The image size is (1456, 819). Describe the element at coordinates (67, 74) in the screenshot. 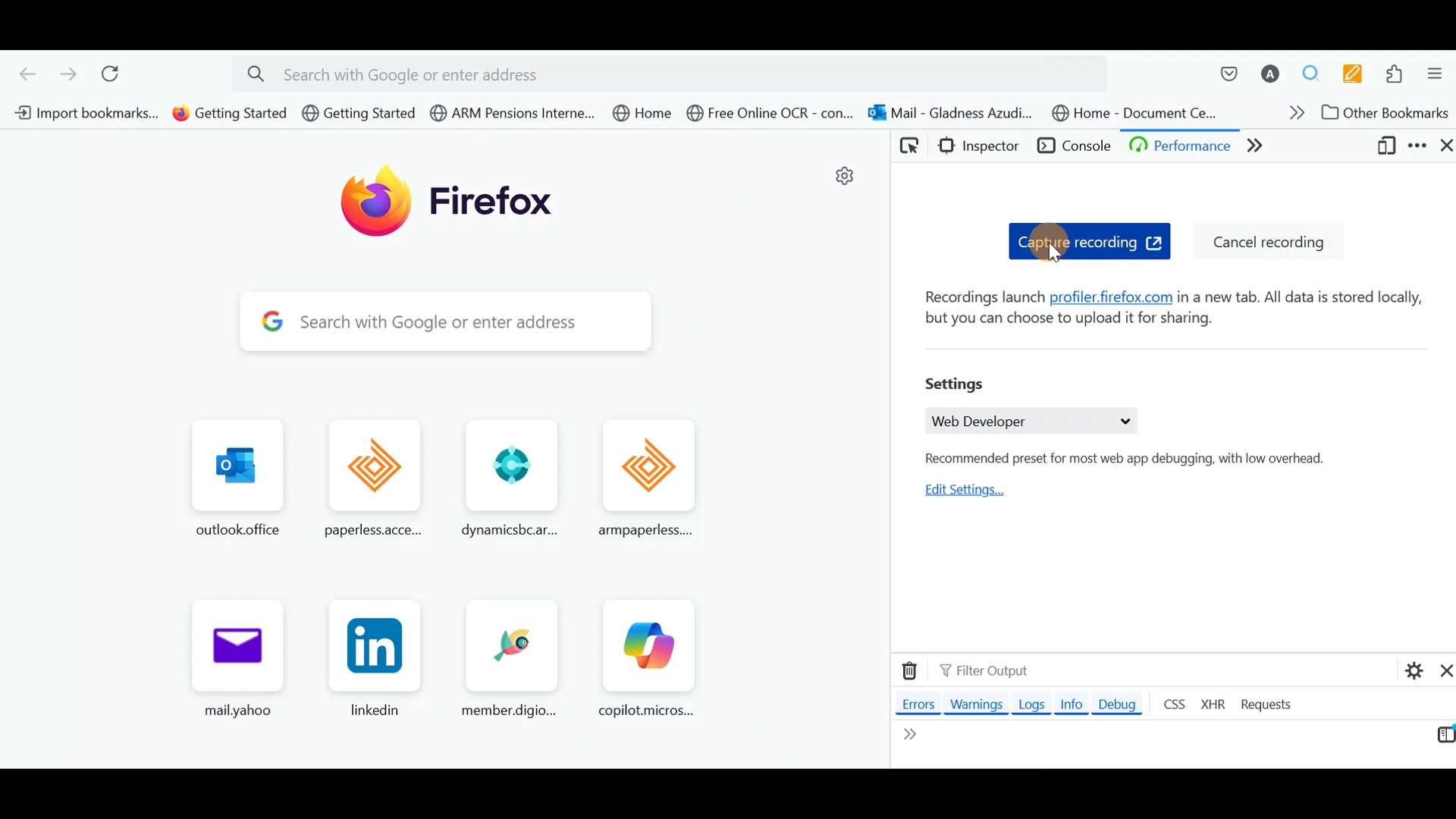

I see `Go forward one page` at that location.